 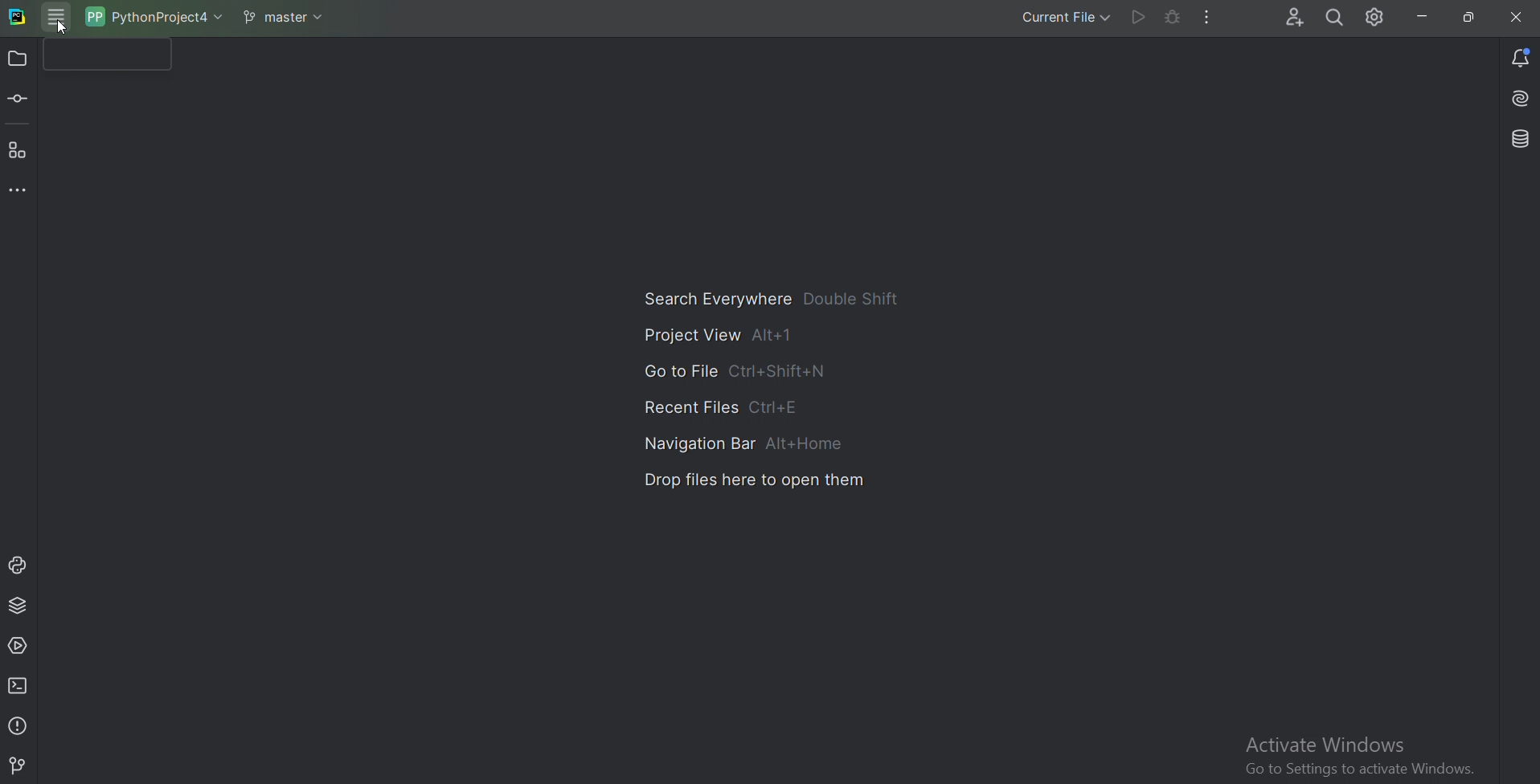 I want to click on Code with me, so click(x=1283, y=18).